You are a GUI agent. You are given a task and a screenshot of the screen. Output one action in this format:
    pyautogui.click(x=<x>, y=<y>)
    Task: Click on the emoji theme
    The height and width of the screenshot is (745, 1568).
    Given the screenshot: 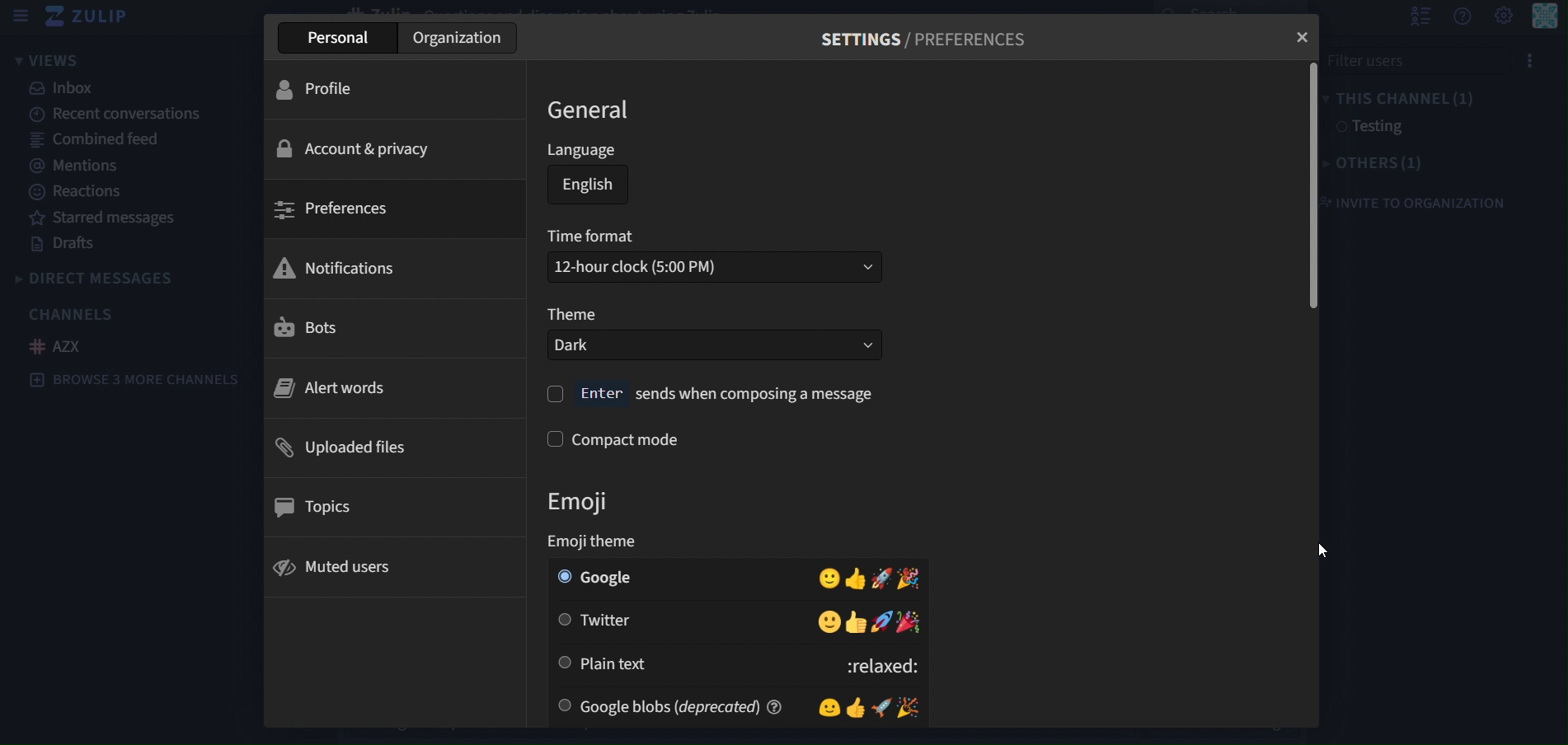 What is the action you would take?
    pyautogui.click(x=594, y=540)
    